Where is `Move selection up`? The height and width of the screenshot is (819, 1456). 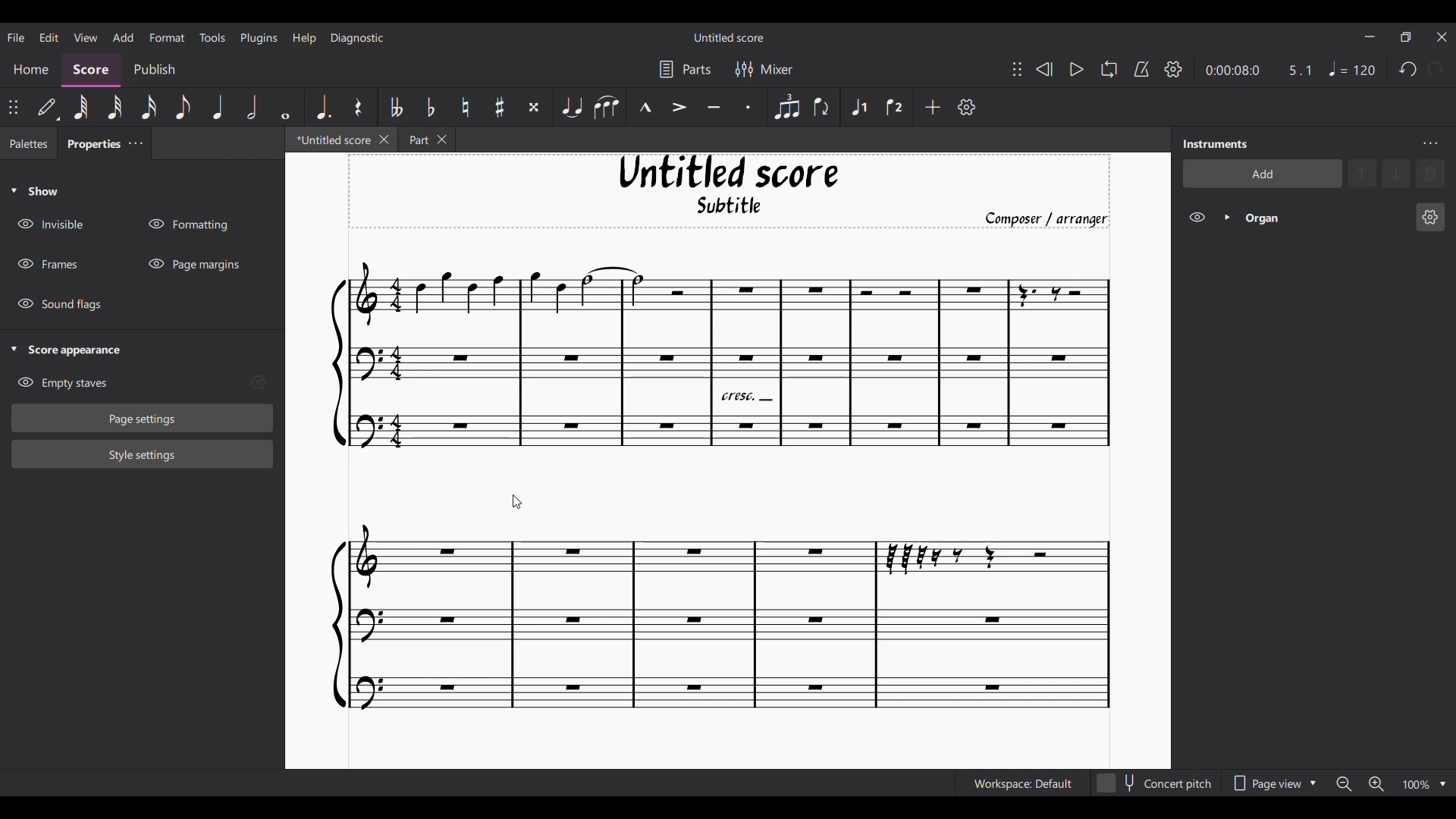 Move selection up is located at coordinates (1363, 173).